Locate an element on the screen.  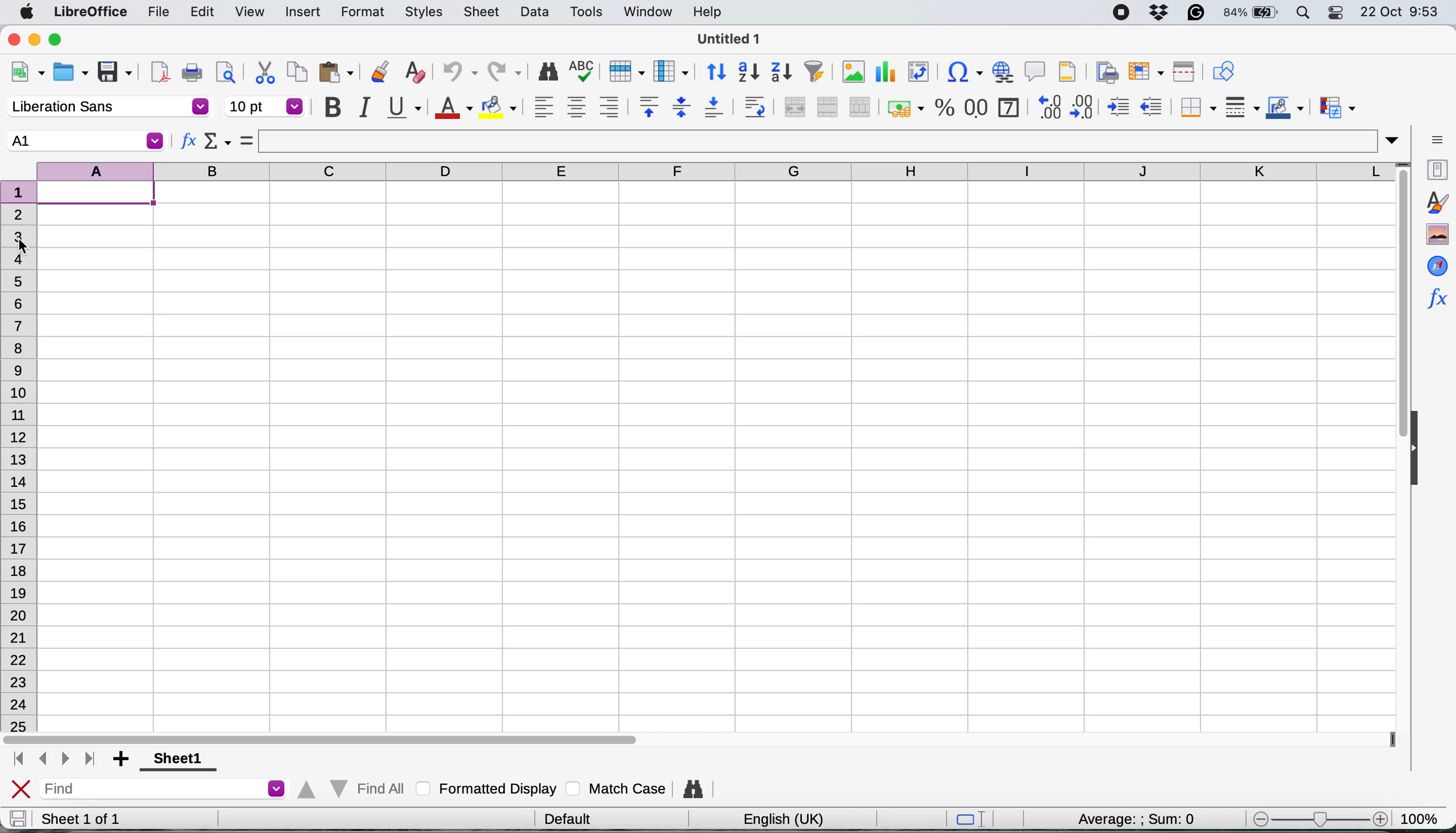
autofilter is located at coordinates (814, 72).